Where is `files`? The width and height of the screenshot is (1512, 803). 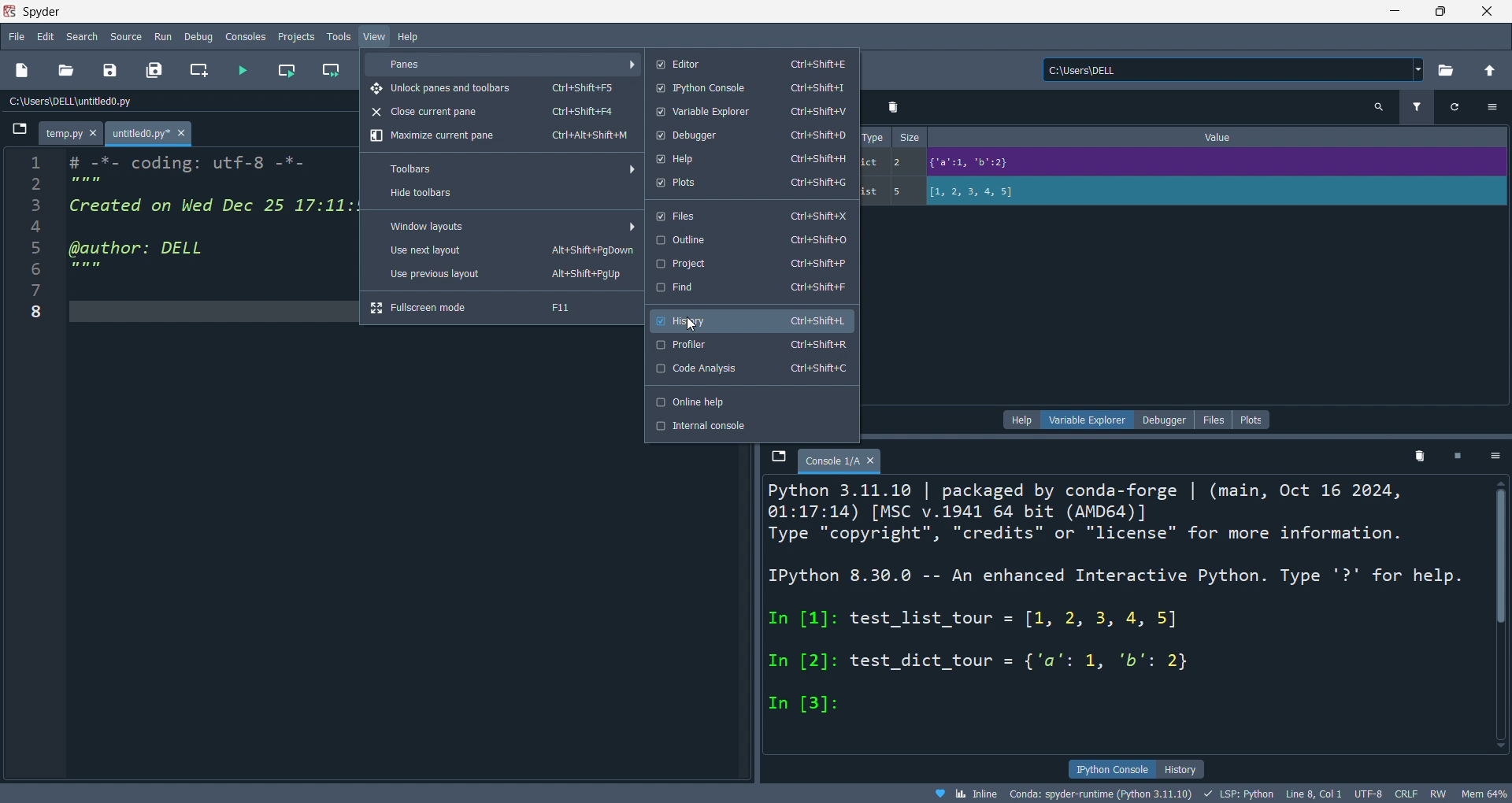
files is located at coordinates (1212, 419).